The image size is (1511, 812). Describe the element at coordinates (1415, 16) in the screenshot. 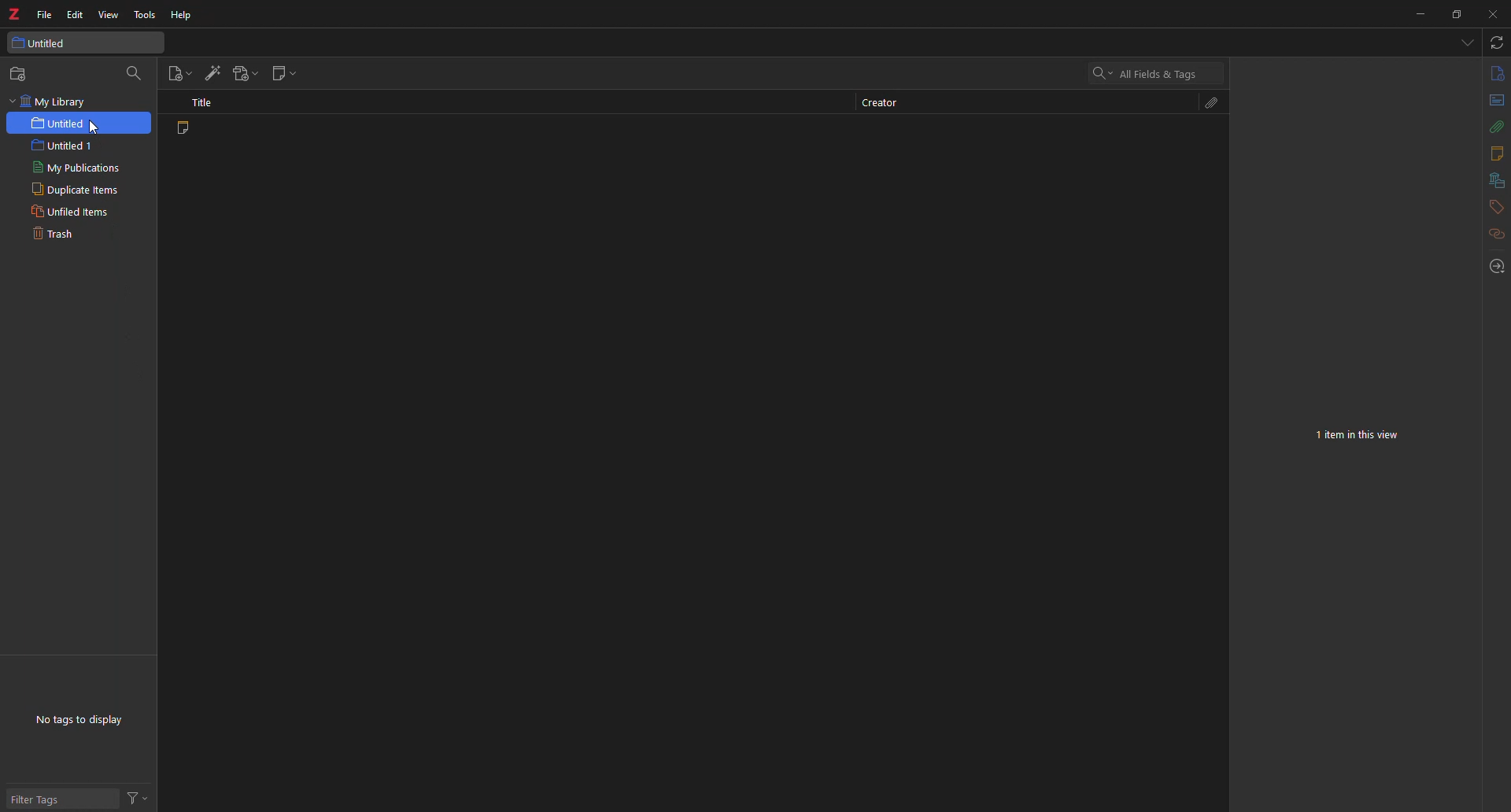

I see `minimize` at that location.